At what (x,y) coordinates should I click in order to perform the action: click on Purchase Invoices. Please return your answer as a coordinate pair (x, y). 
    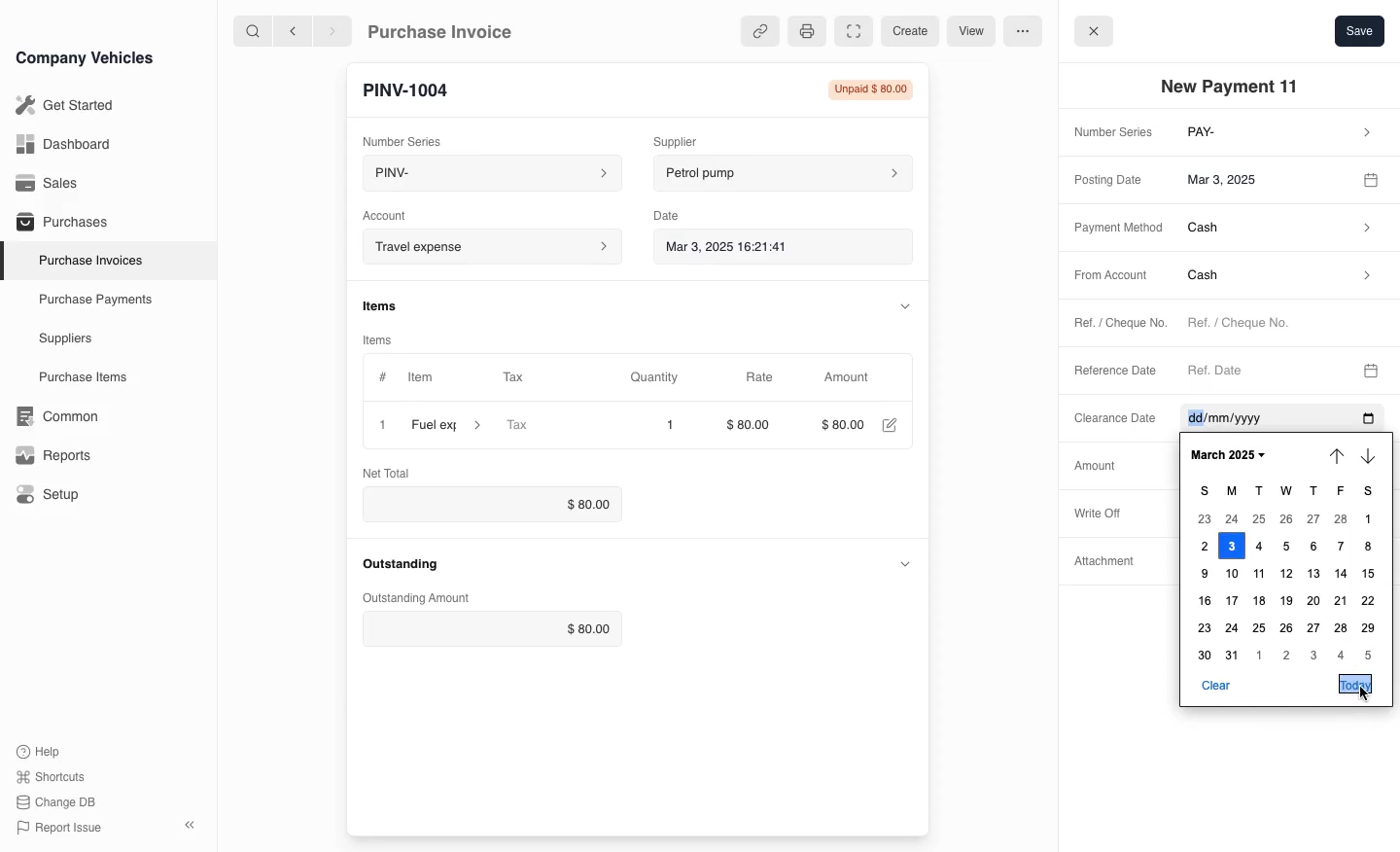
    Looking at the image, I should click on (87, 260).